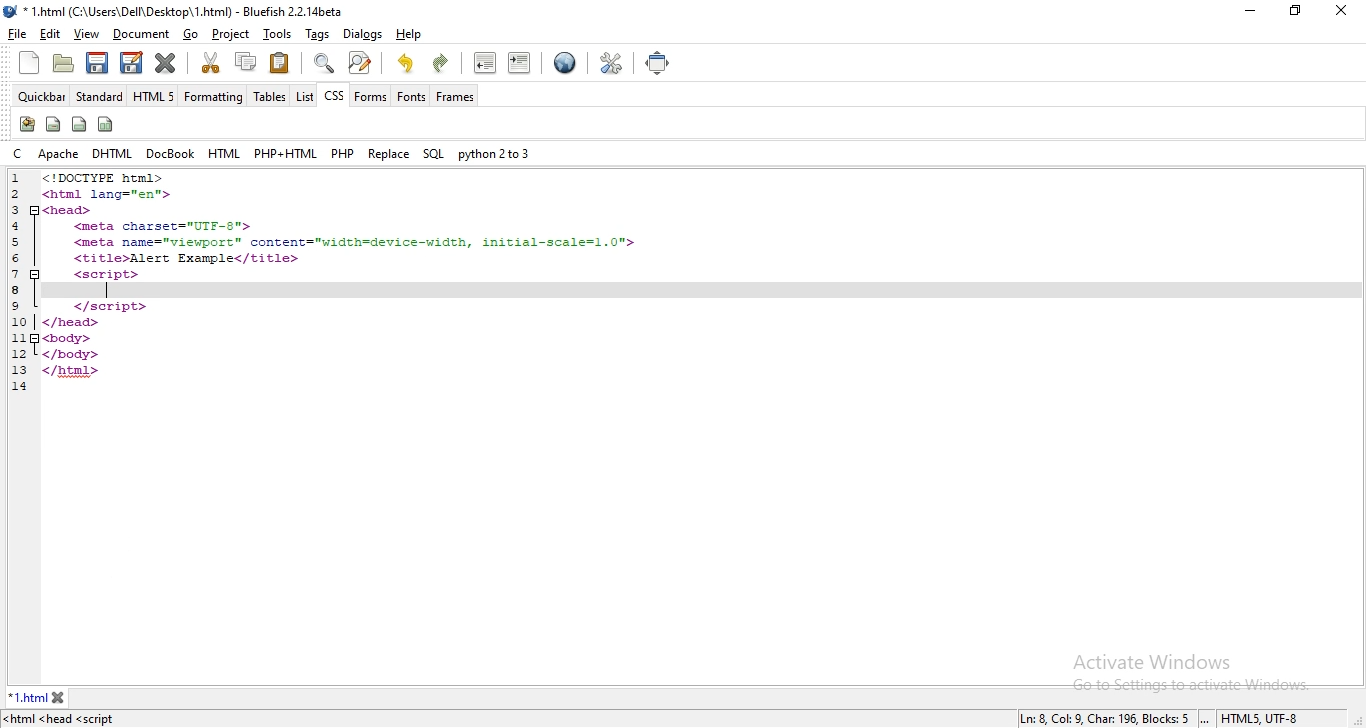 The height and width of the screenshot is (728, 1366). What do you see at coordinates (69, 209) in the screenshot?
I see `<head>` at bounding box center [69, 209].